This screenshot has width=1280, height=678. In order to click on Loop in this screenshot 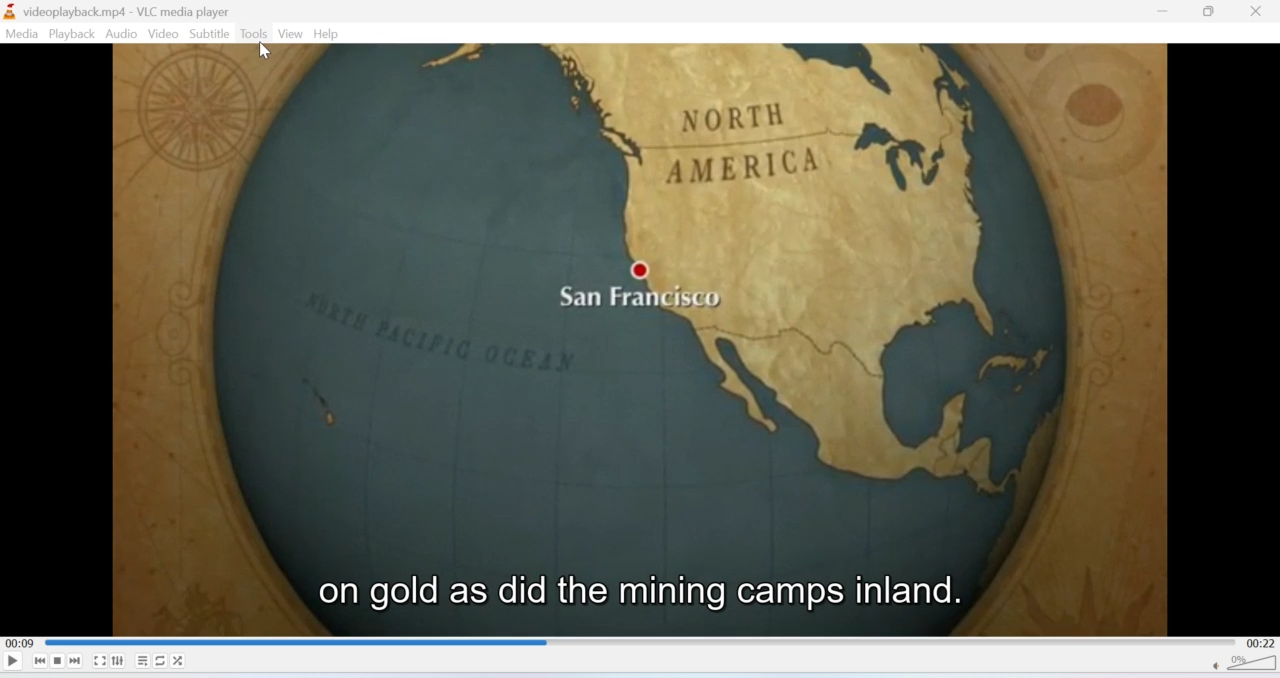, I will do `click(160, 660)`.